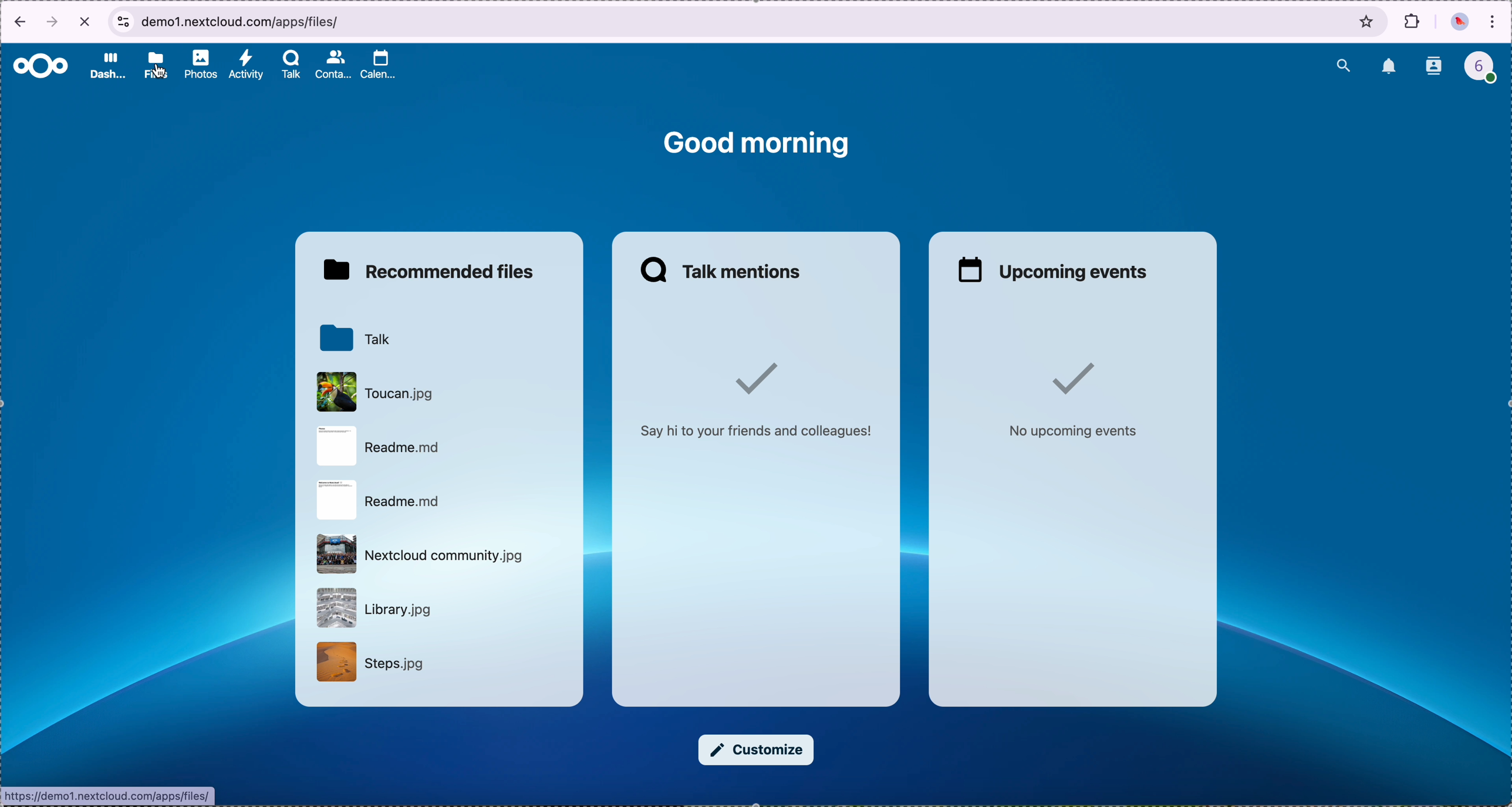 The width and height of the screenshot is (1512, 807). I want to click on cursor, so click(161, 72).